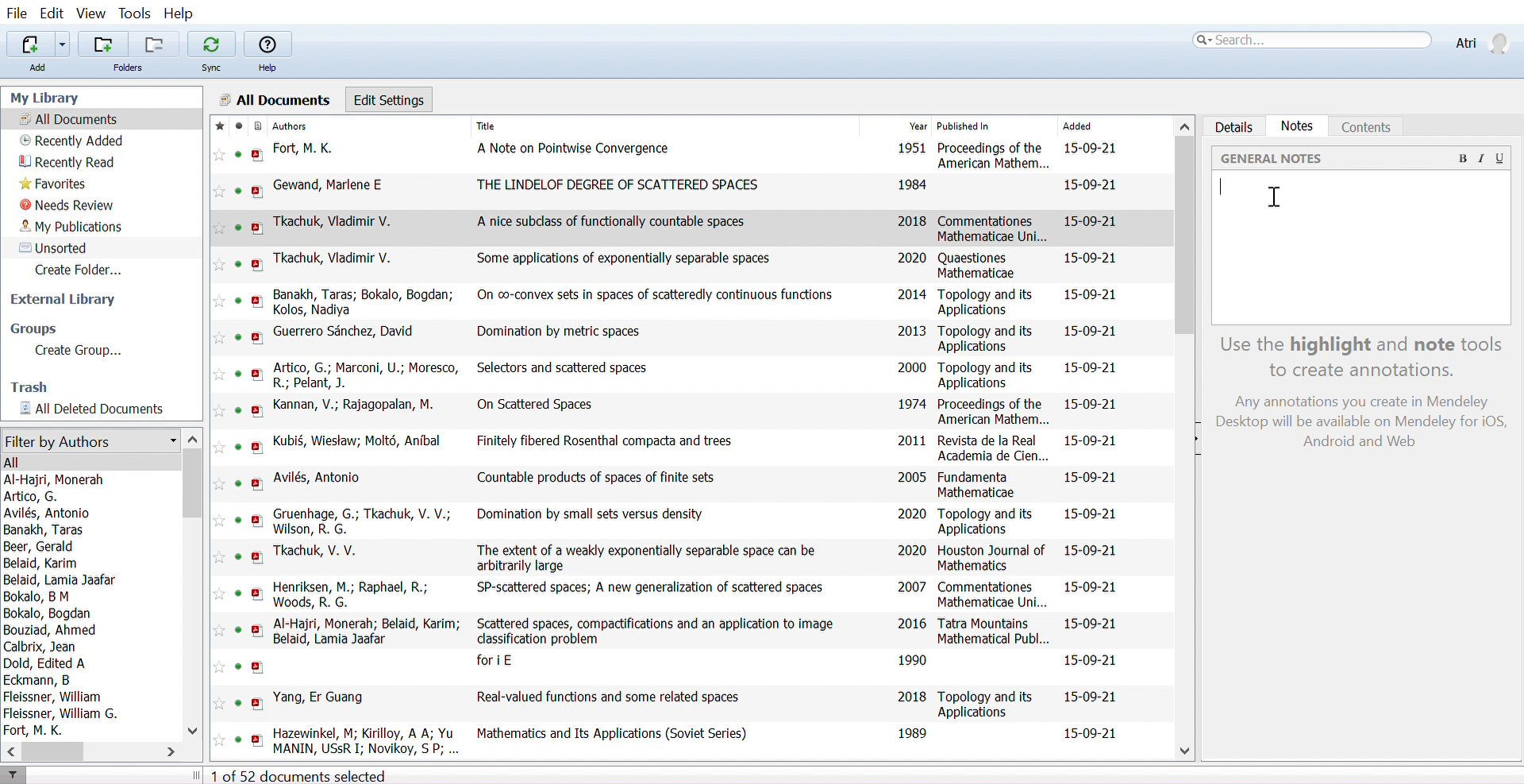  I want to click on 15-09-21, so click(1093, 698).